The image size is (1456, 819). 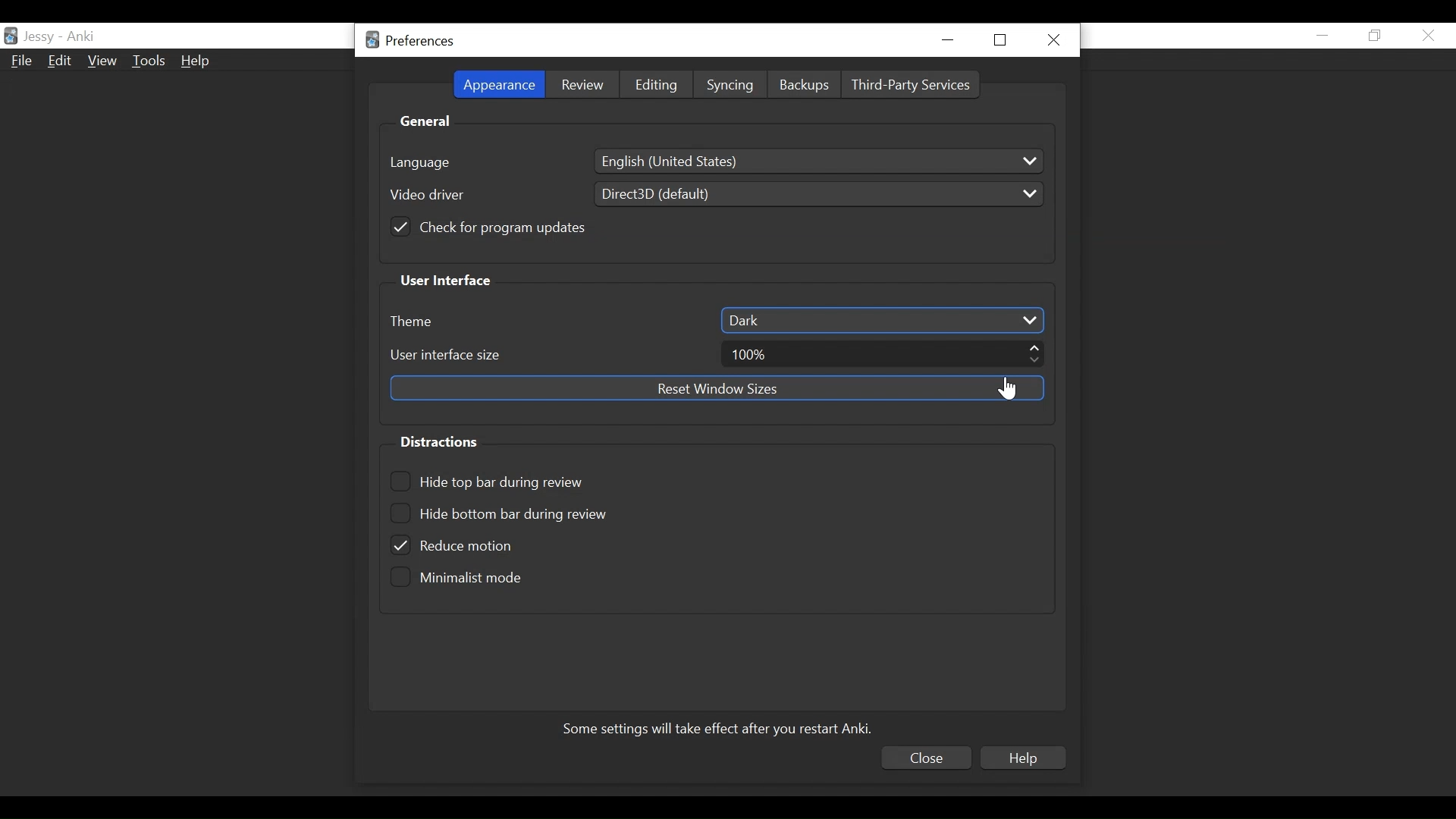 I want to click on minimize, so click(x=1323, y=35).